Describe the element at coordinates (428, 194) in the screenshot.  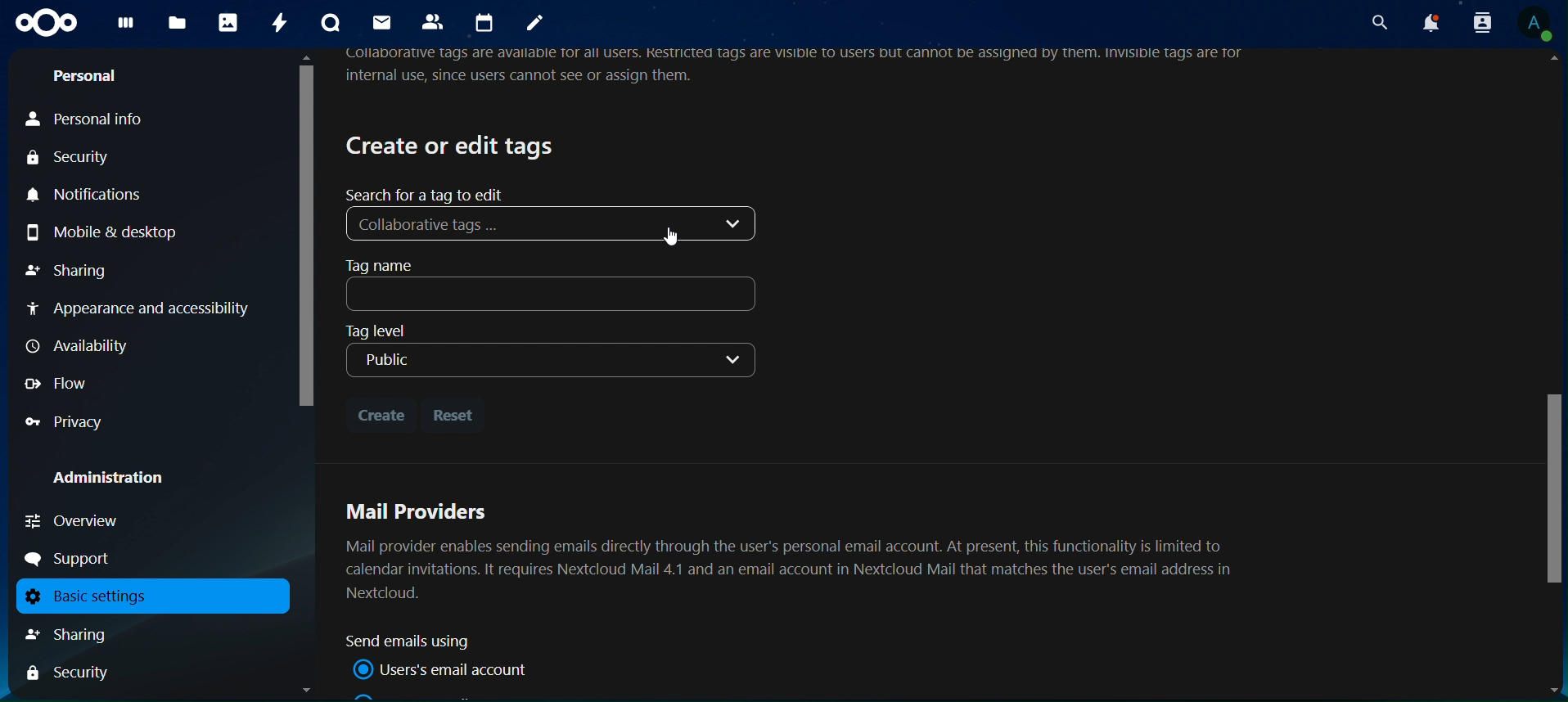
I see `search for a tag to edit` at that location.